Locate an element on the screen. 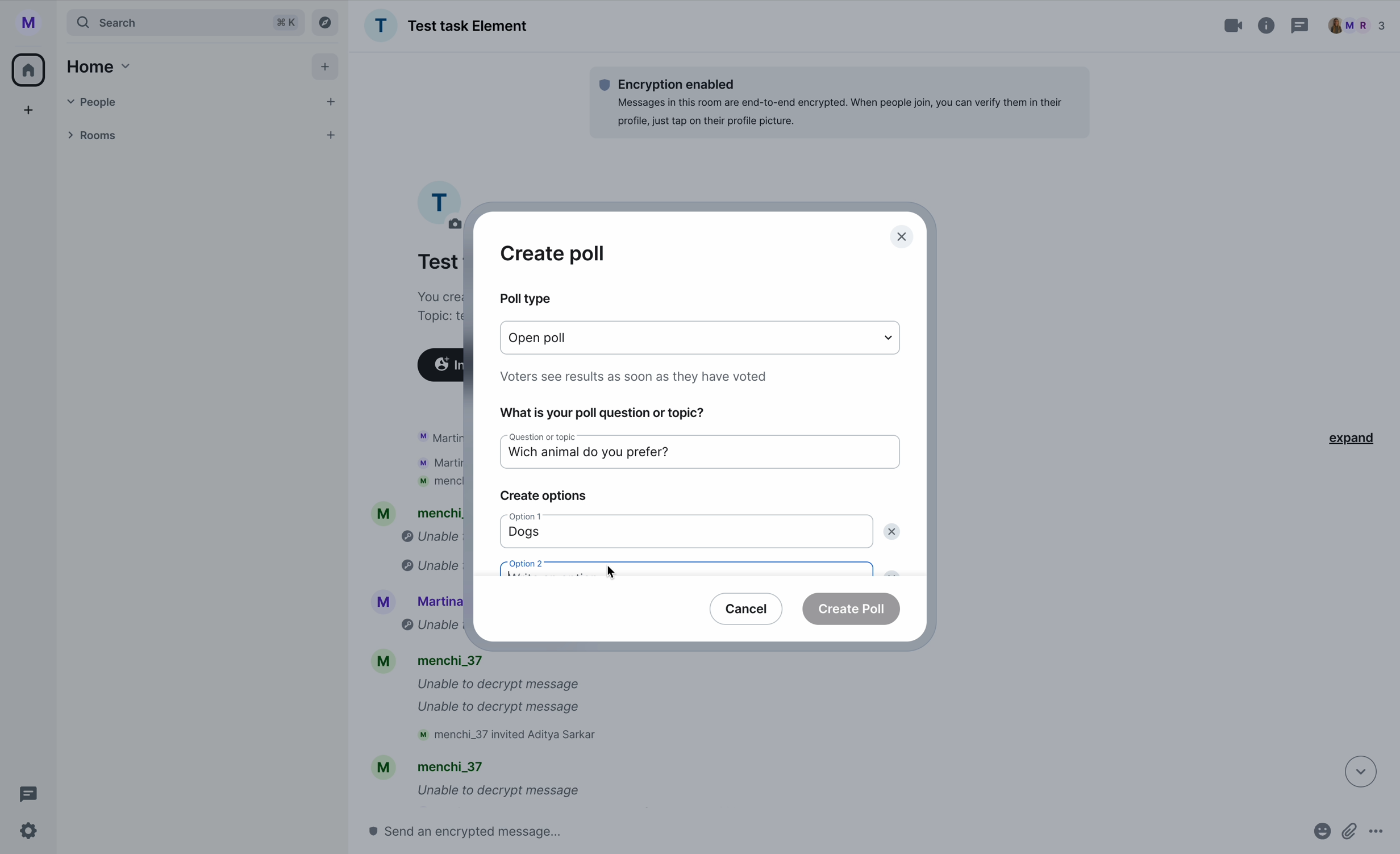 This screenshot has width=1400, height=854. profile picture is located at coordinates (439, 202).